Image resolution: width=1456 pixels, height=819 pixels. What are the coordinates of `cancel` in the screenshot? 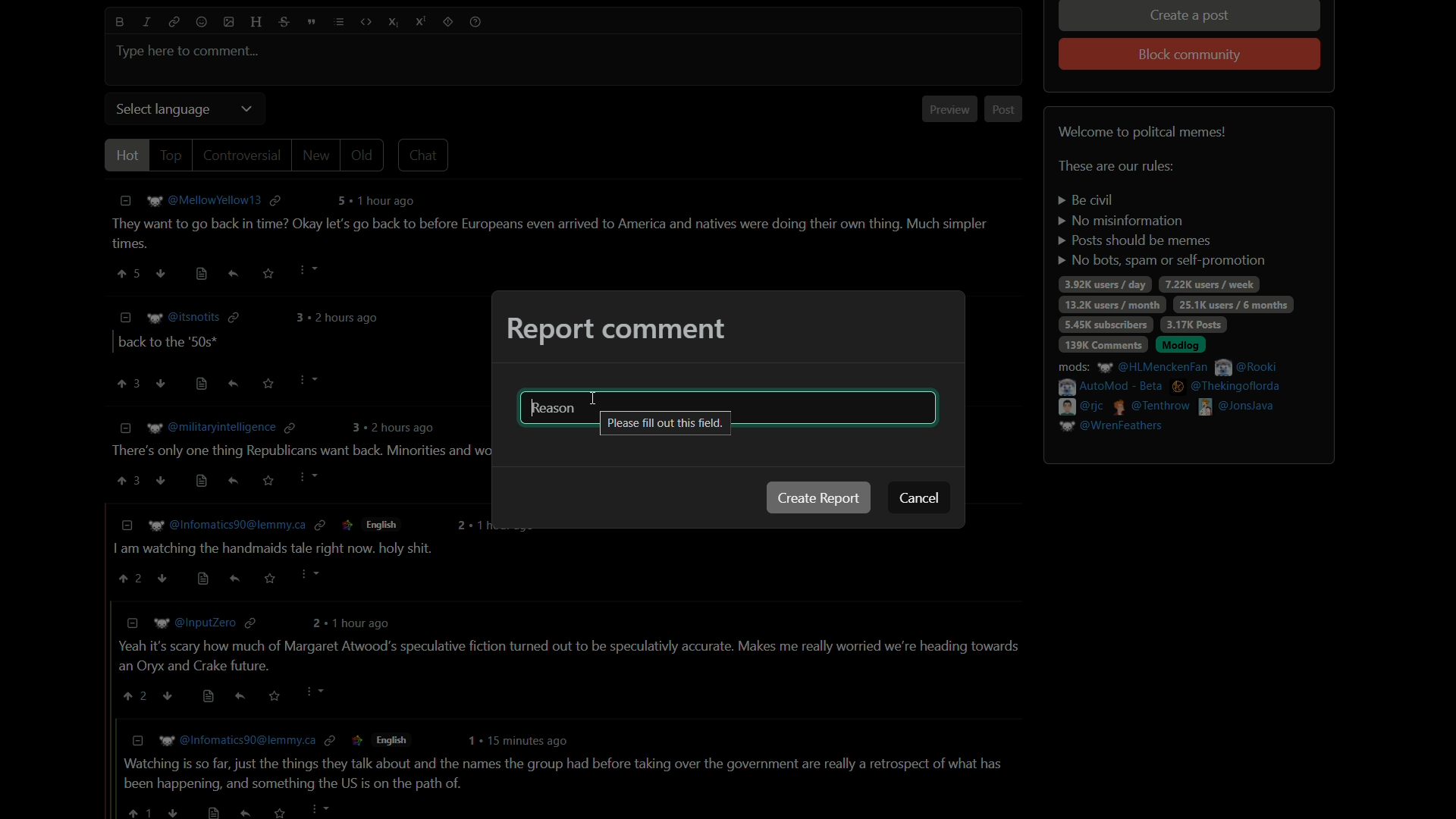 It's located at (920, 497).